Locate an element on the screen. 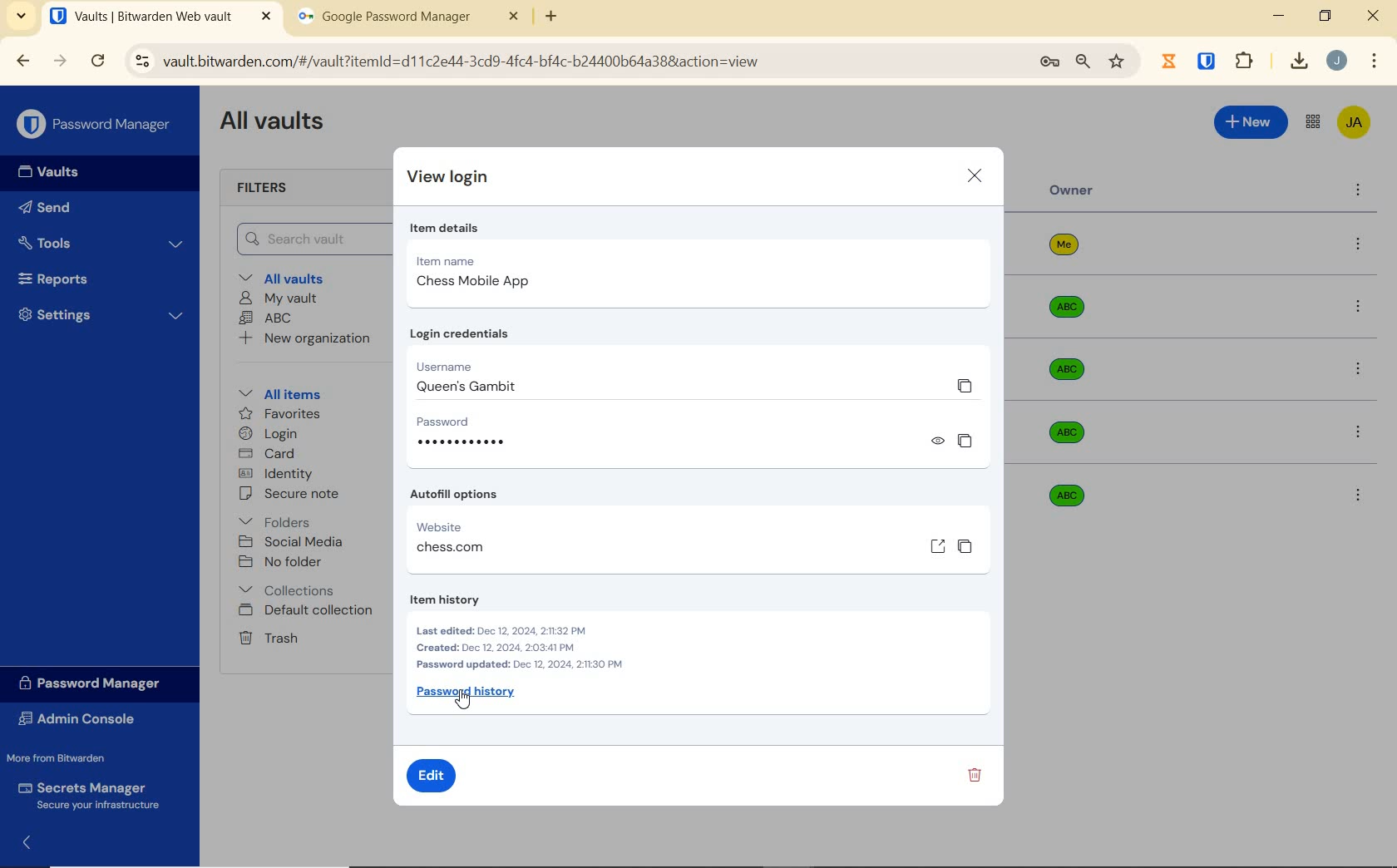 The width and height of the screenshot is (1397, 868). Password history is located at coordinates (475, 693).